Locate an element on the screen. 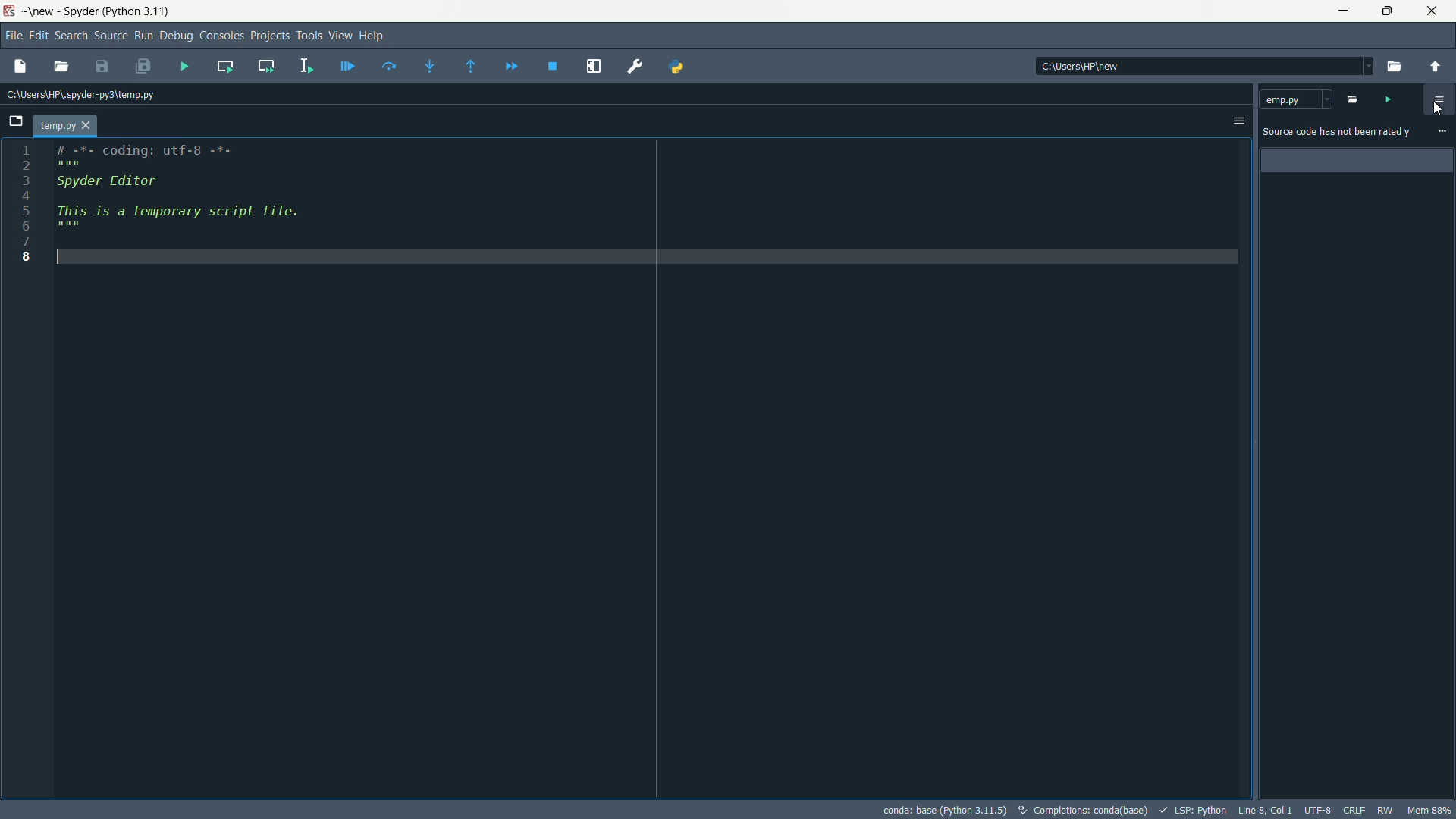 This screenshot has height=819, width=1456. new file is located at coordinates (20, 66).